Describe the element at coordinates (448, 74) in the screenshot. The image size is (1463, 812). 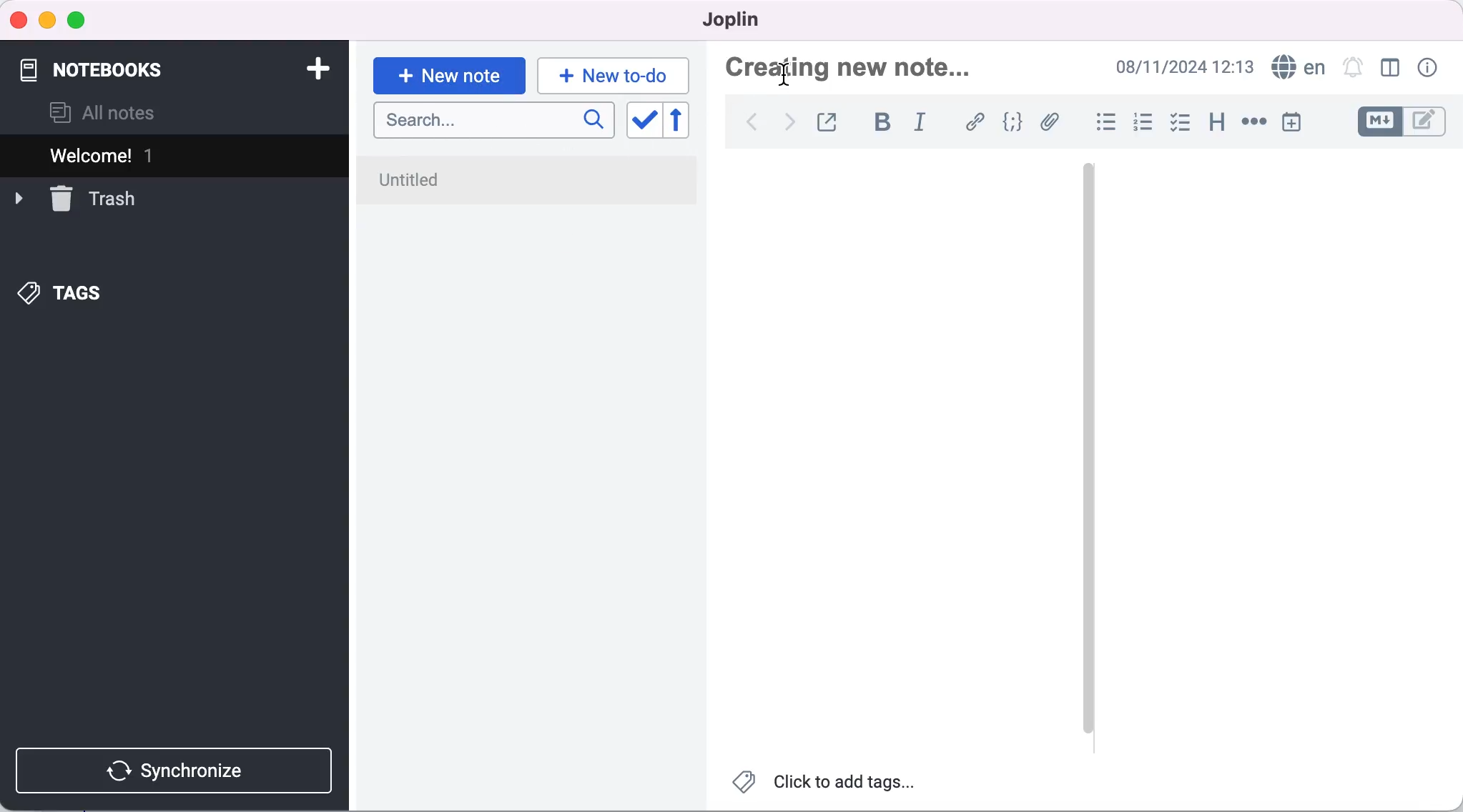
I see `new note` at that location.